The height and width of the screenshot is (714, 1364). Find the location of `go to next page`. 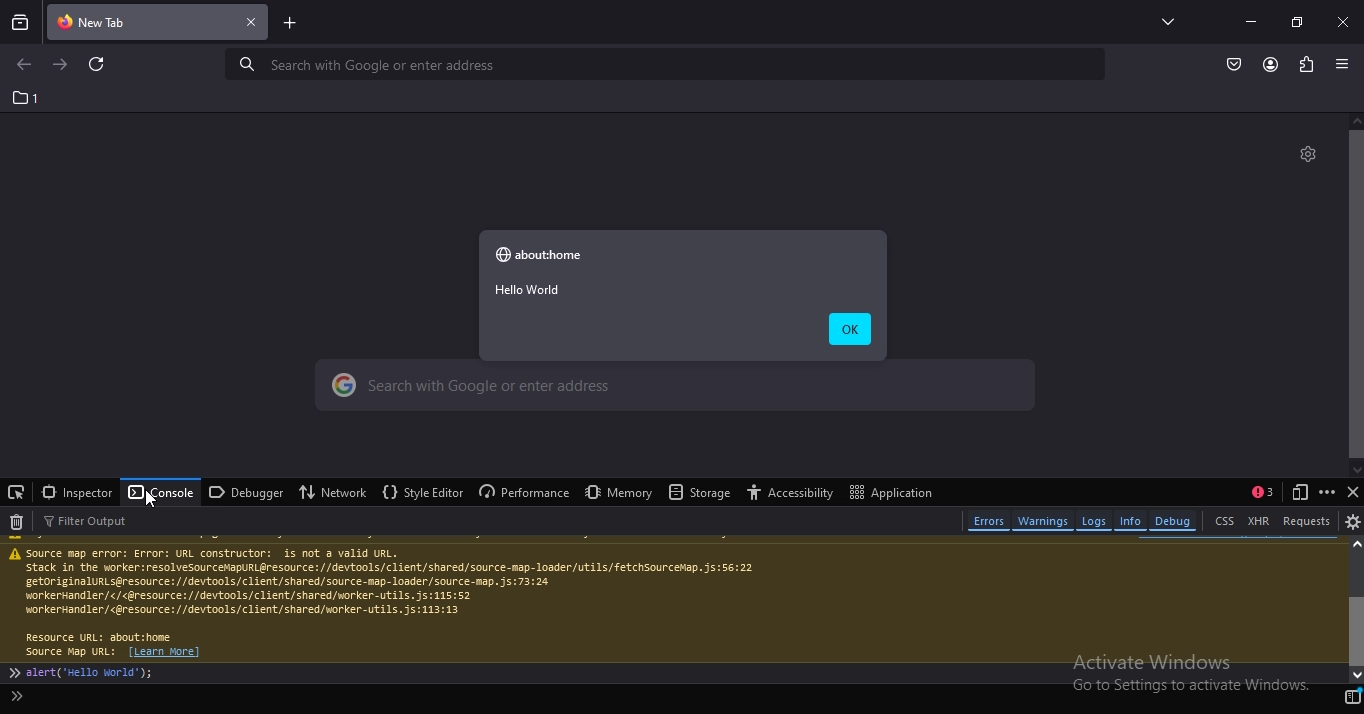

go to next page is located at coordinates (61, 65).